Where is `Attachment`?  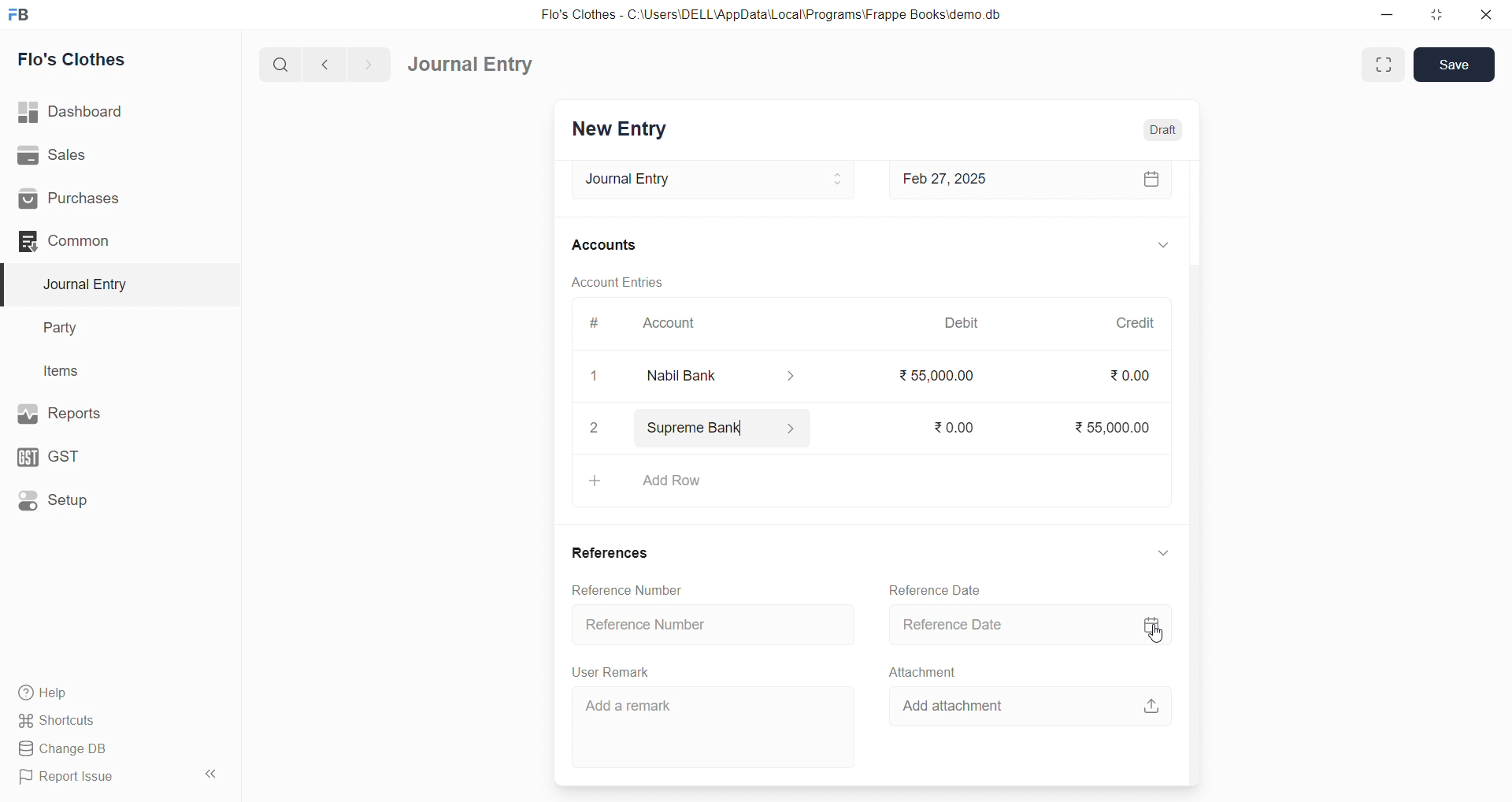
Attachment is located at coordinates (922, 672).